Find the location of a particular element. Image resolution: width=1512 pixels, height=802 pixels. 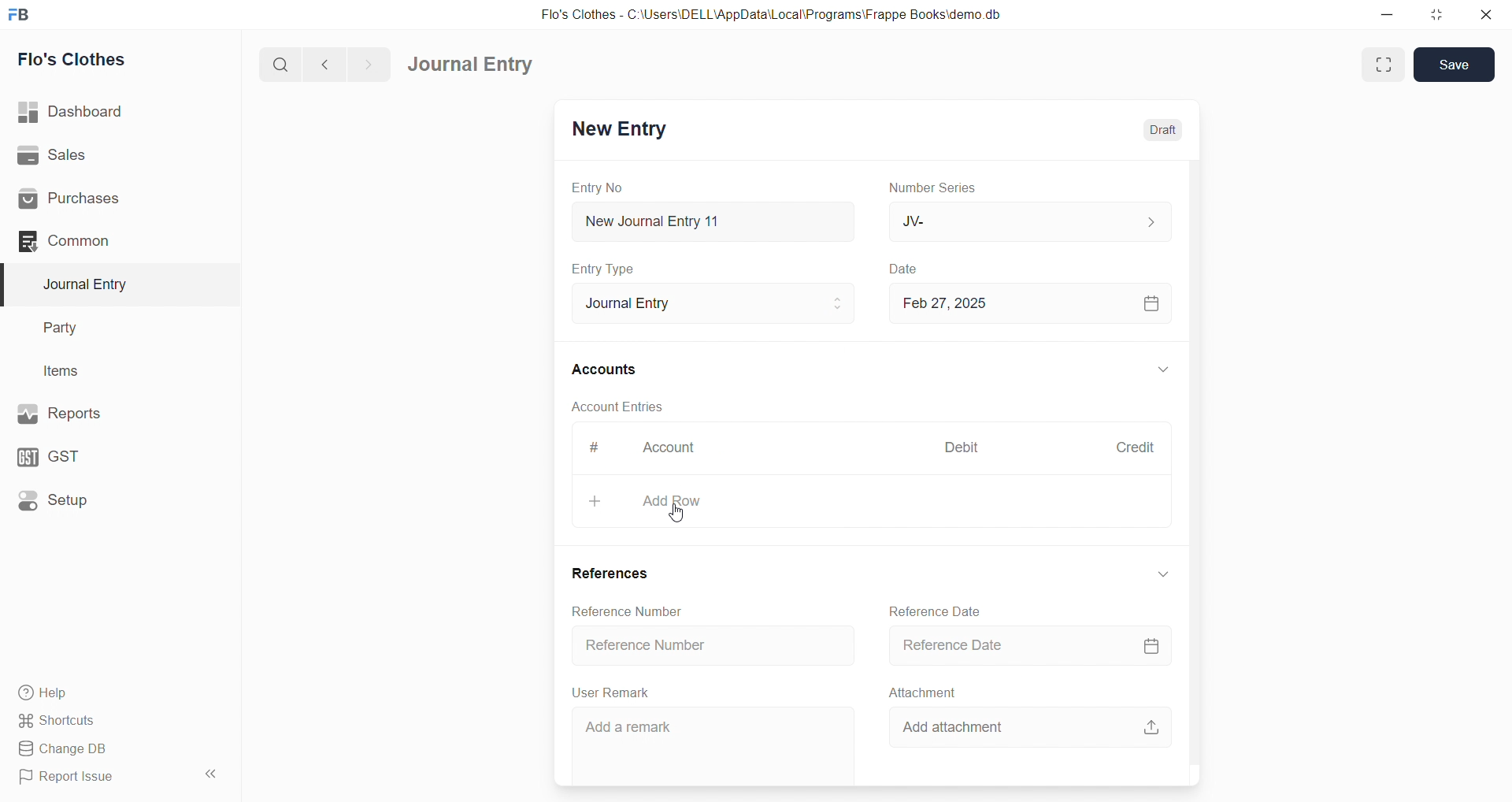

search is located at coordinates (278, 66).